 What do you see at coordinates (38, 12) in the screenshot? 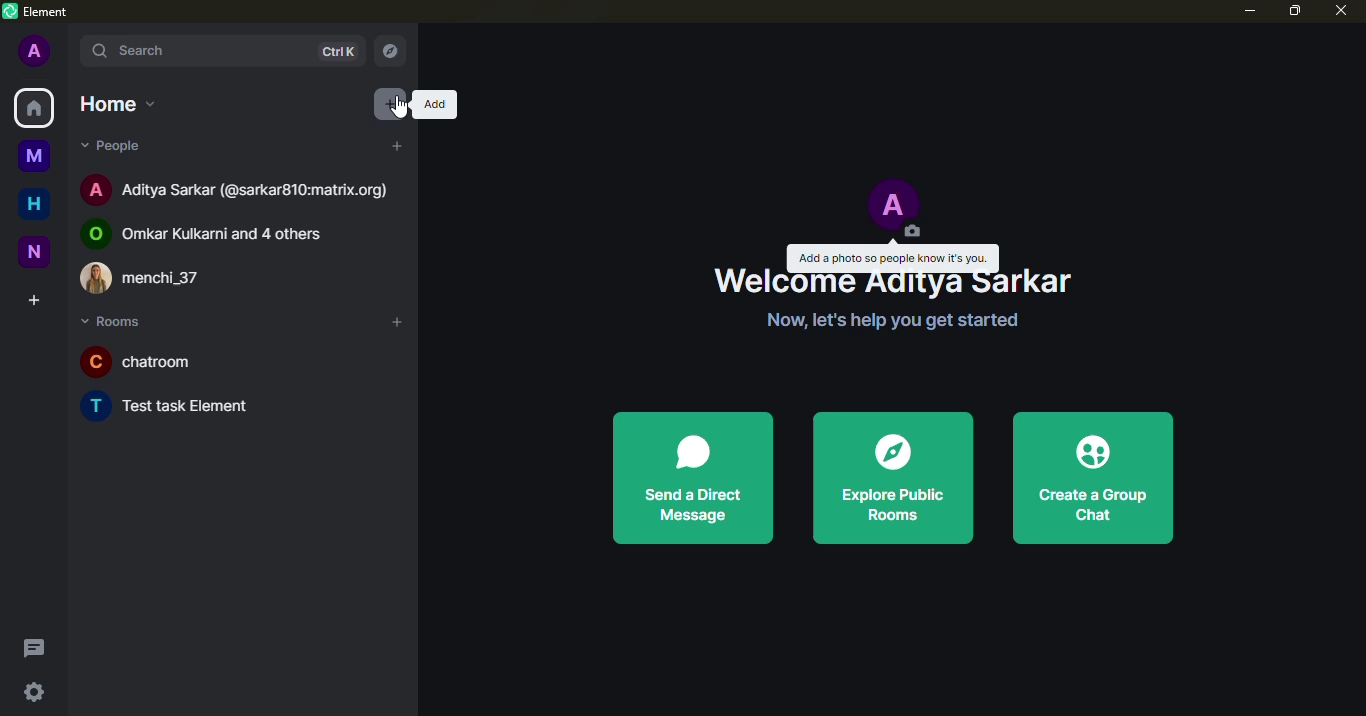
I see `element` at bounding box center [38, 12].